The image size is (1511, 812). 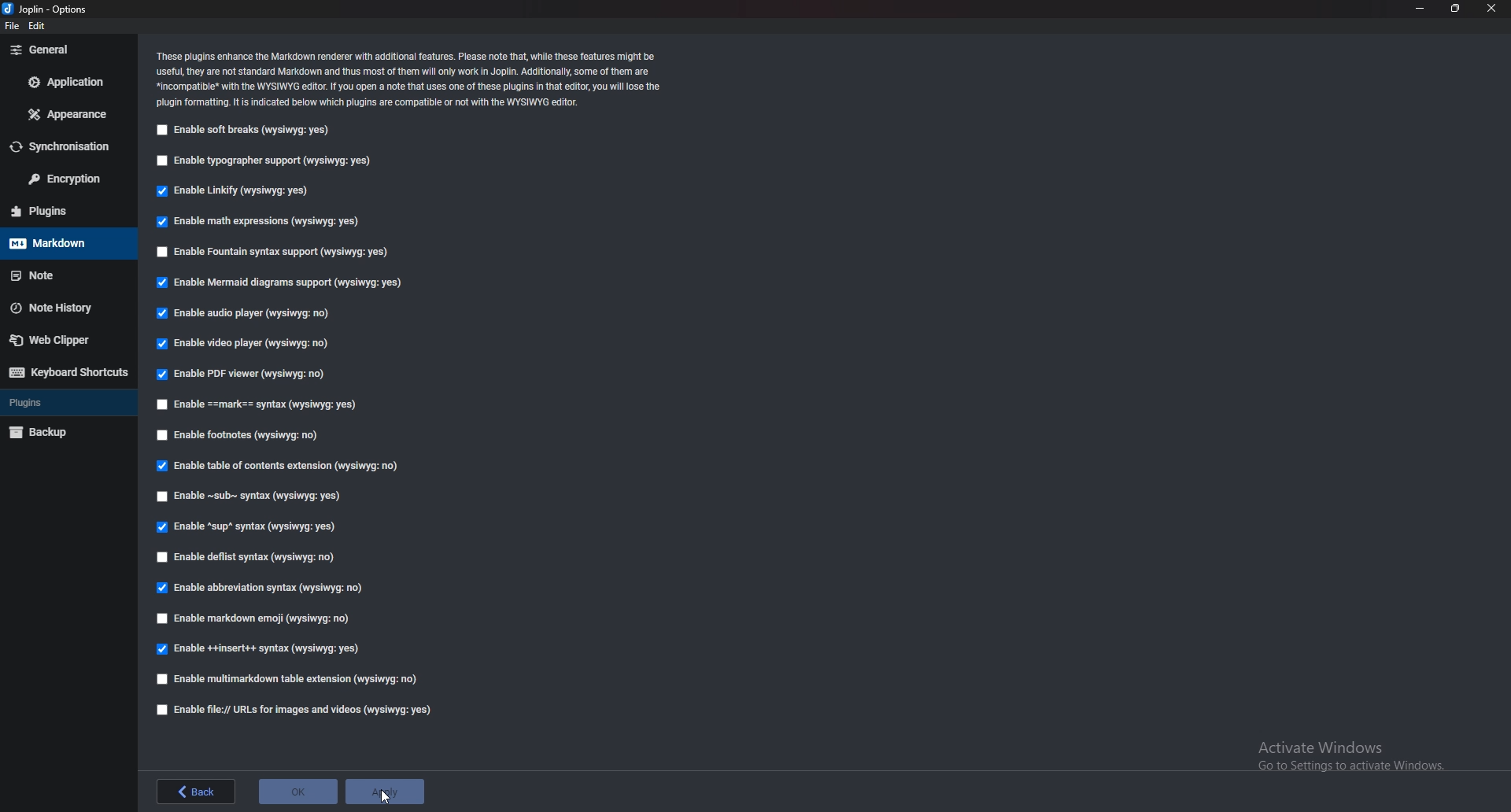 I want to click on Keyboard shortcuts, so click(x=71, y=372).